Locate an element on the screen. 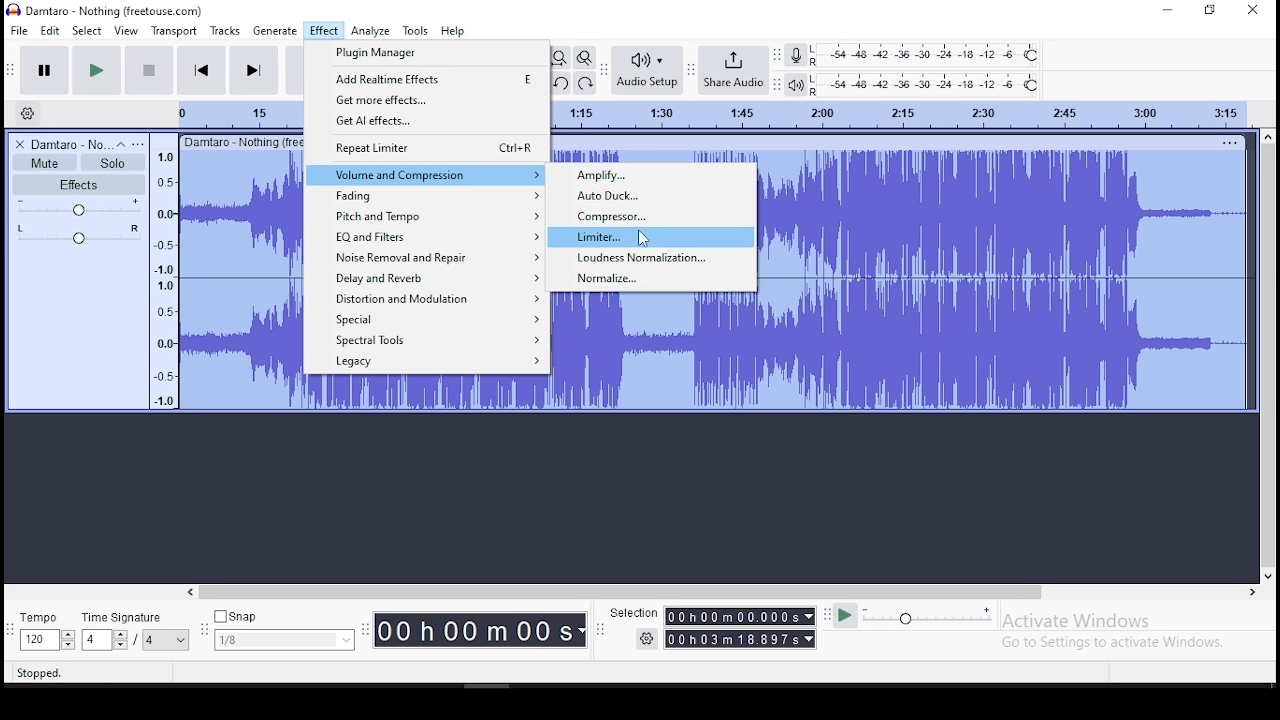 This screenshot has width=1280, height=720. timeline settings is located at coordinates (28, 113).